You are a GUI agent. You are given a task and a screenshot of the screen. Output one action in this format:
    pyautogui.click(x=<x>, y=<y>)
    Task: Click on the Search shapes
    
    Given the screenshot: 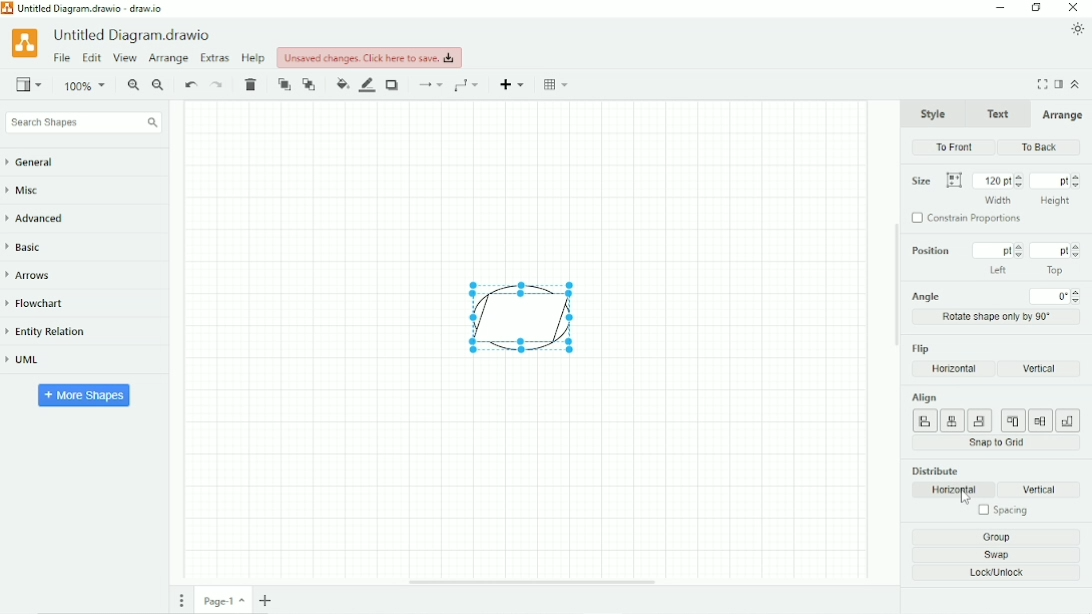 What is the action you would take?
    pyautogui.click(x=83, y=123)
    